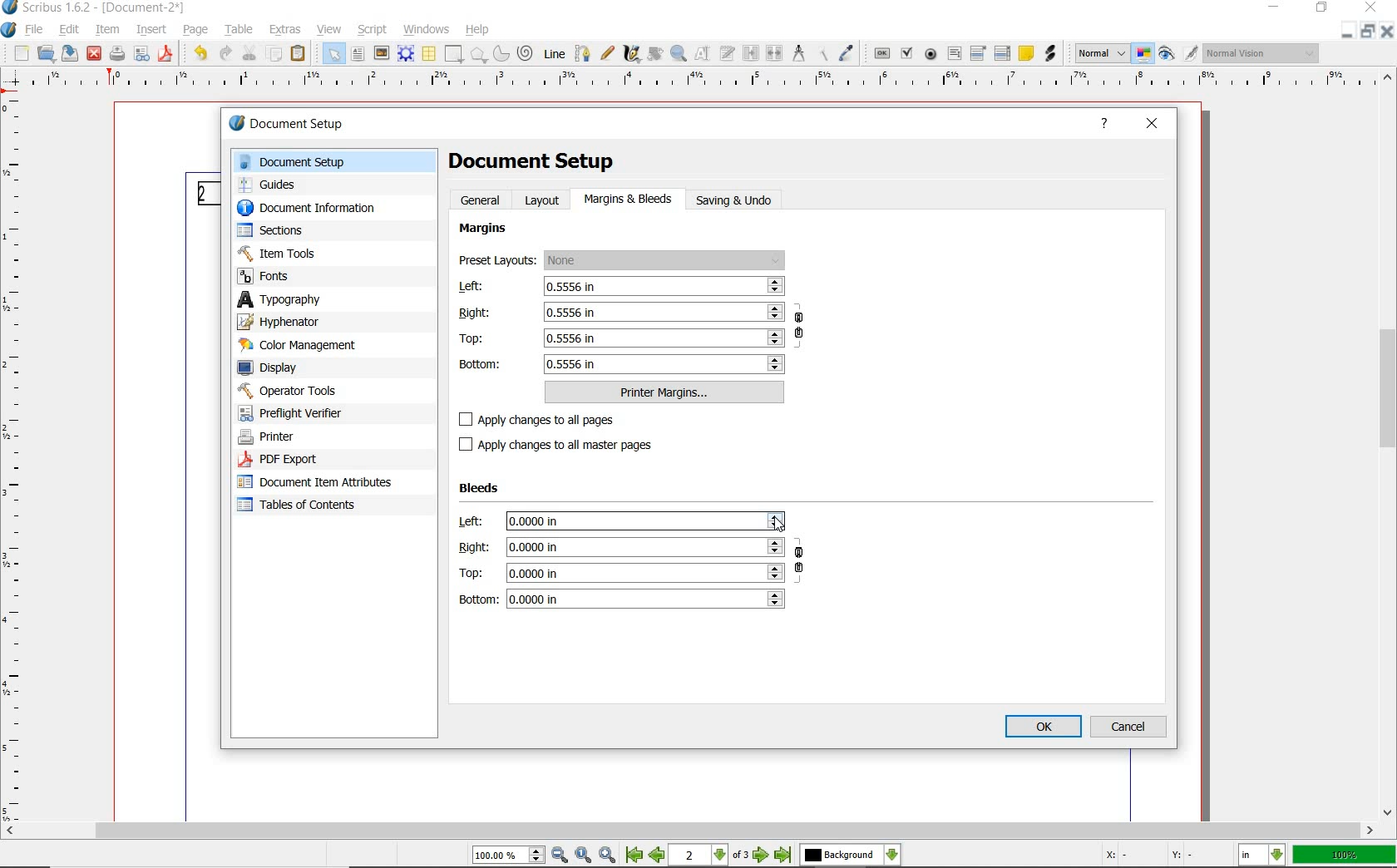 The width and height of the screenshot is (1397, 868). I want to click on 2 of 3, so click(711, 856).